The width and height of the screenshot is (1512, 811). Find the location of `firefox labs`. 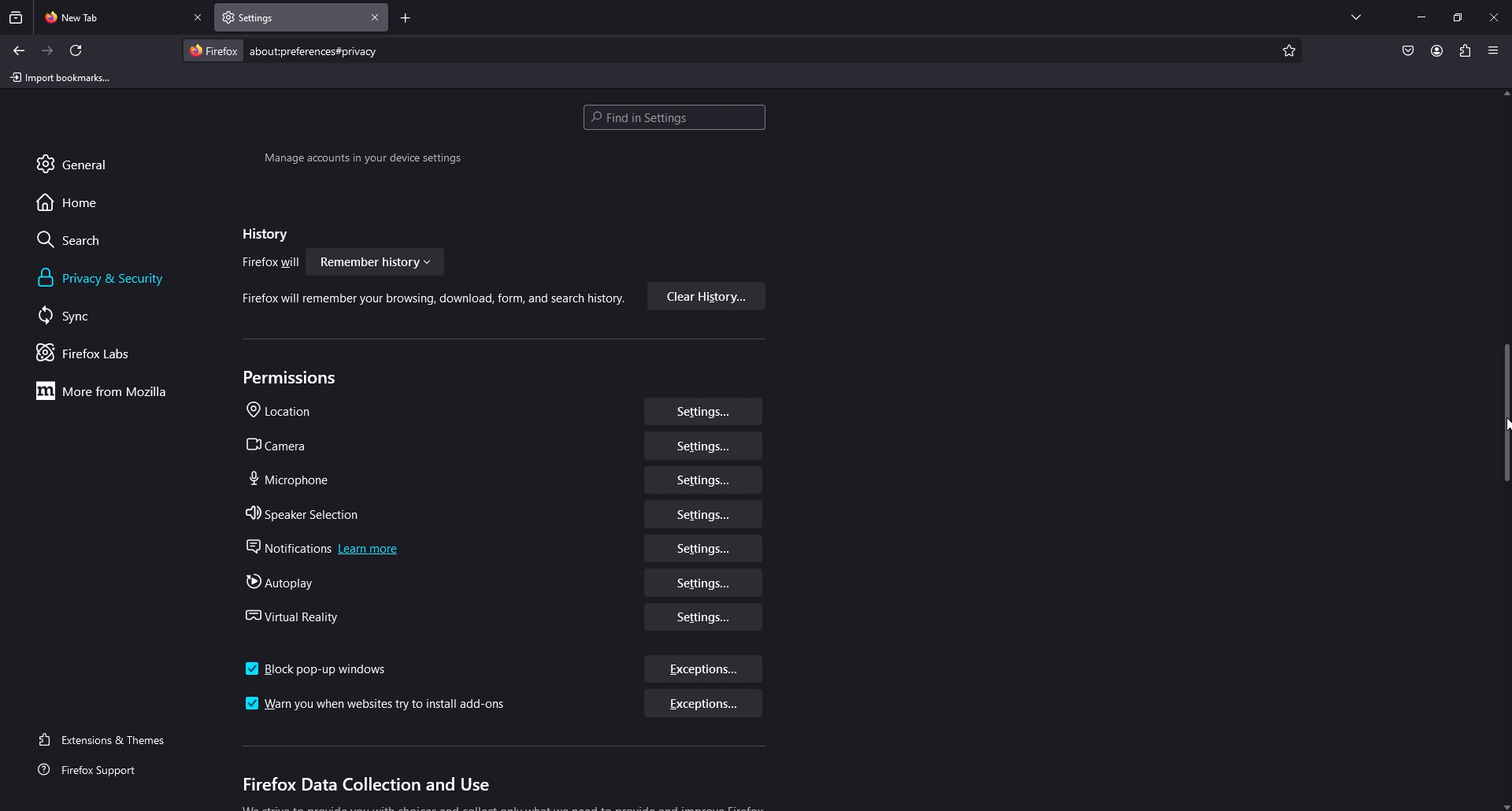

firefox labs is located at coordinates (106, 353).